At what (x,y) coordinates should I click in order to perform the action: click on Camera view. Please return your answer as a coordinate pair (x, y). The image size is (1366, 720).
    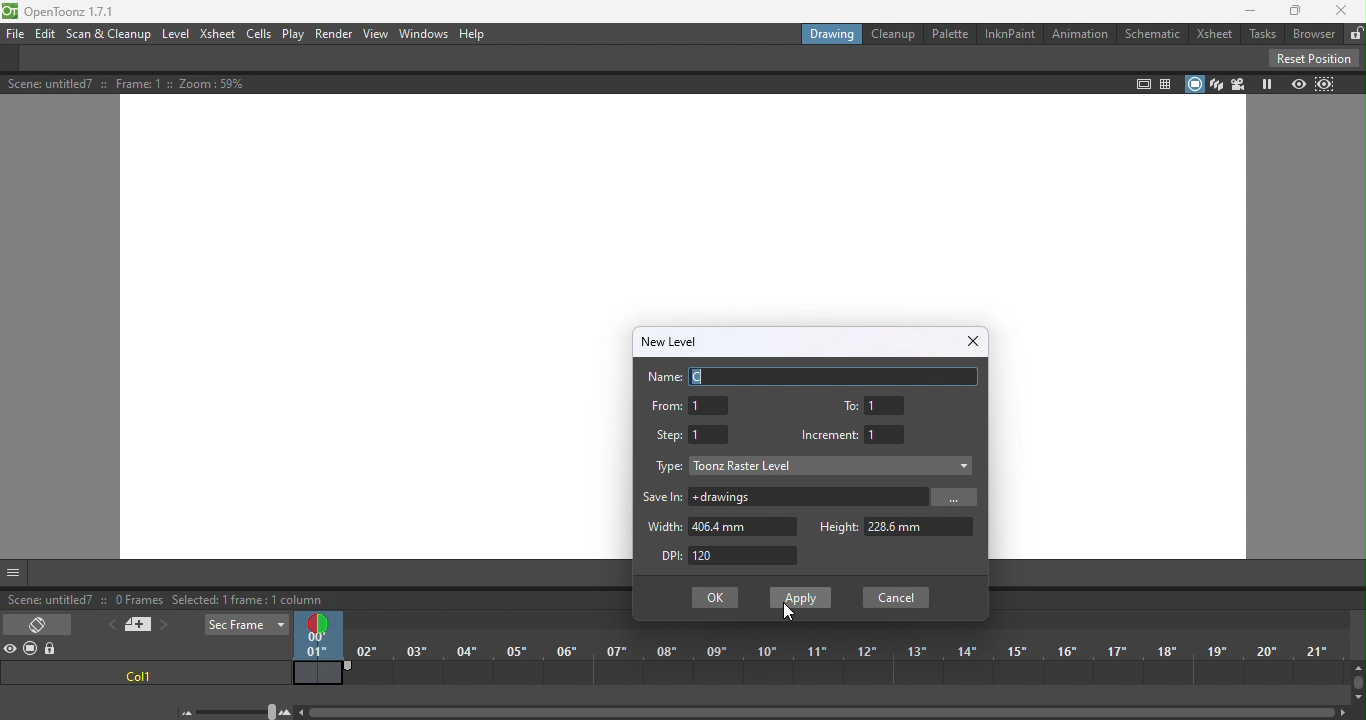
    Looking at the image, I should click on (1237, 84).